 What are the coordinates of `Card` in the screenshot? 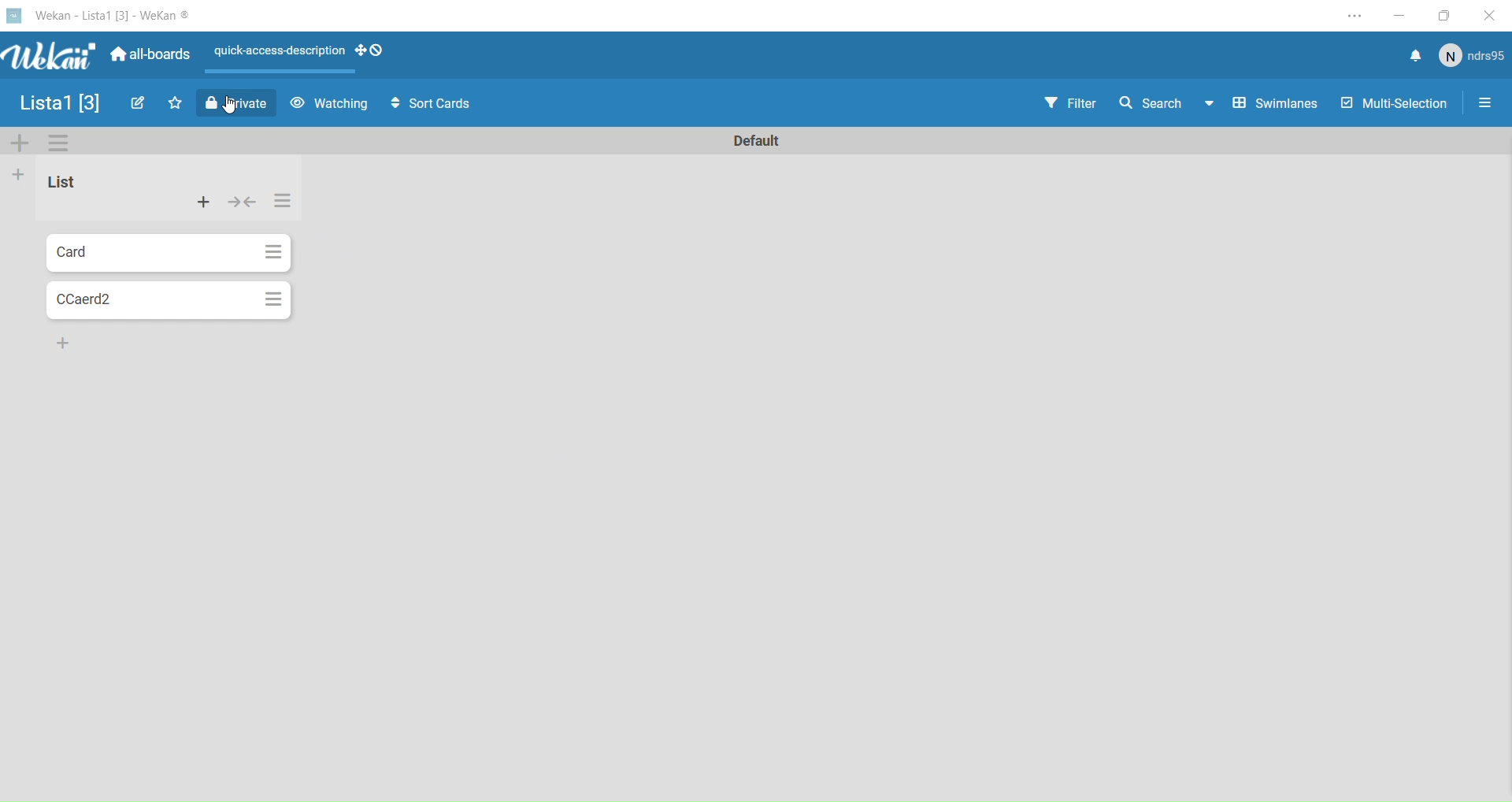 It's located at (149, 301).